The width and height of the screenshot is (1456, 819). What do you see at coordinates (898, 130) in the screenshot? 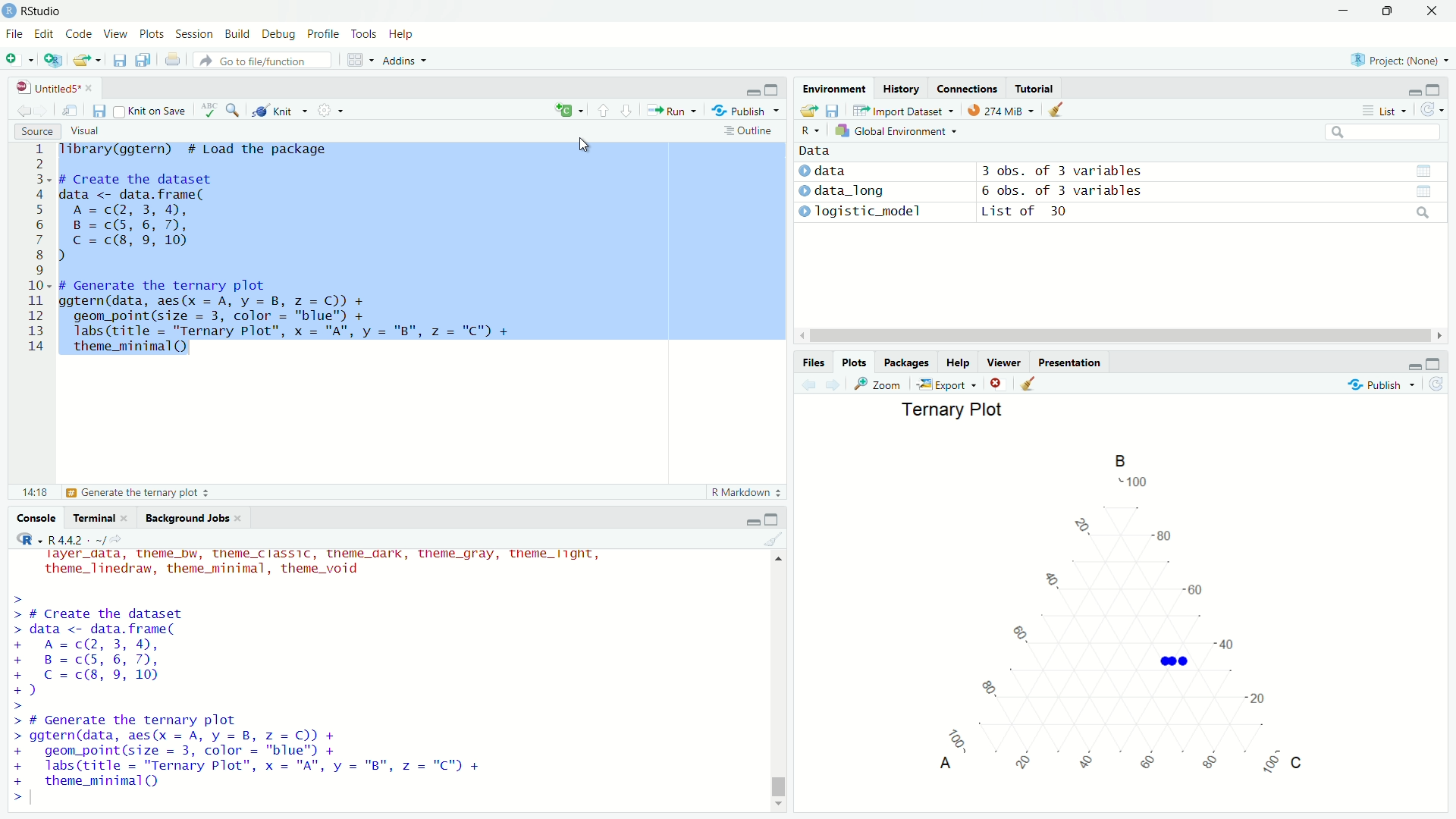
I see `Global Environment «=` at bounding box center [898, 130].